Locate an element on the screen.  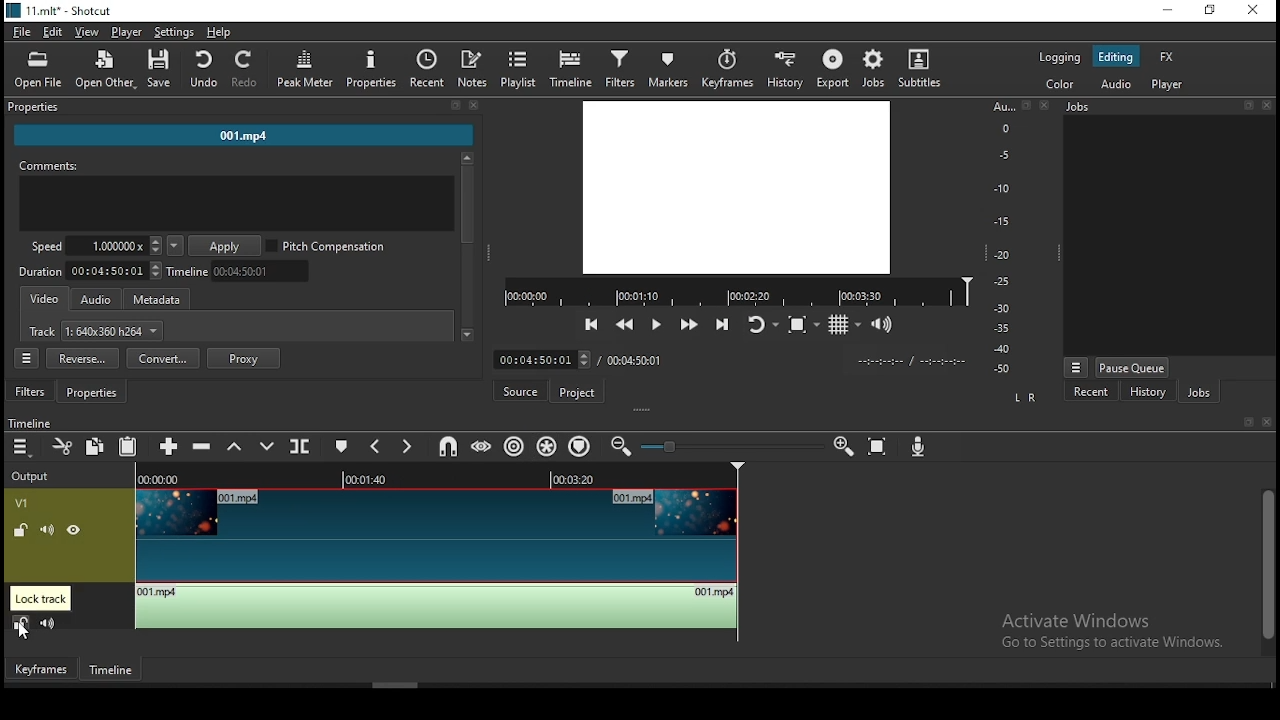
ripple delete is located at coordinates (204, 446).